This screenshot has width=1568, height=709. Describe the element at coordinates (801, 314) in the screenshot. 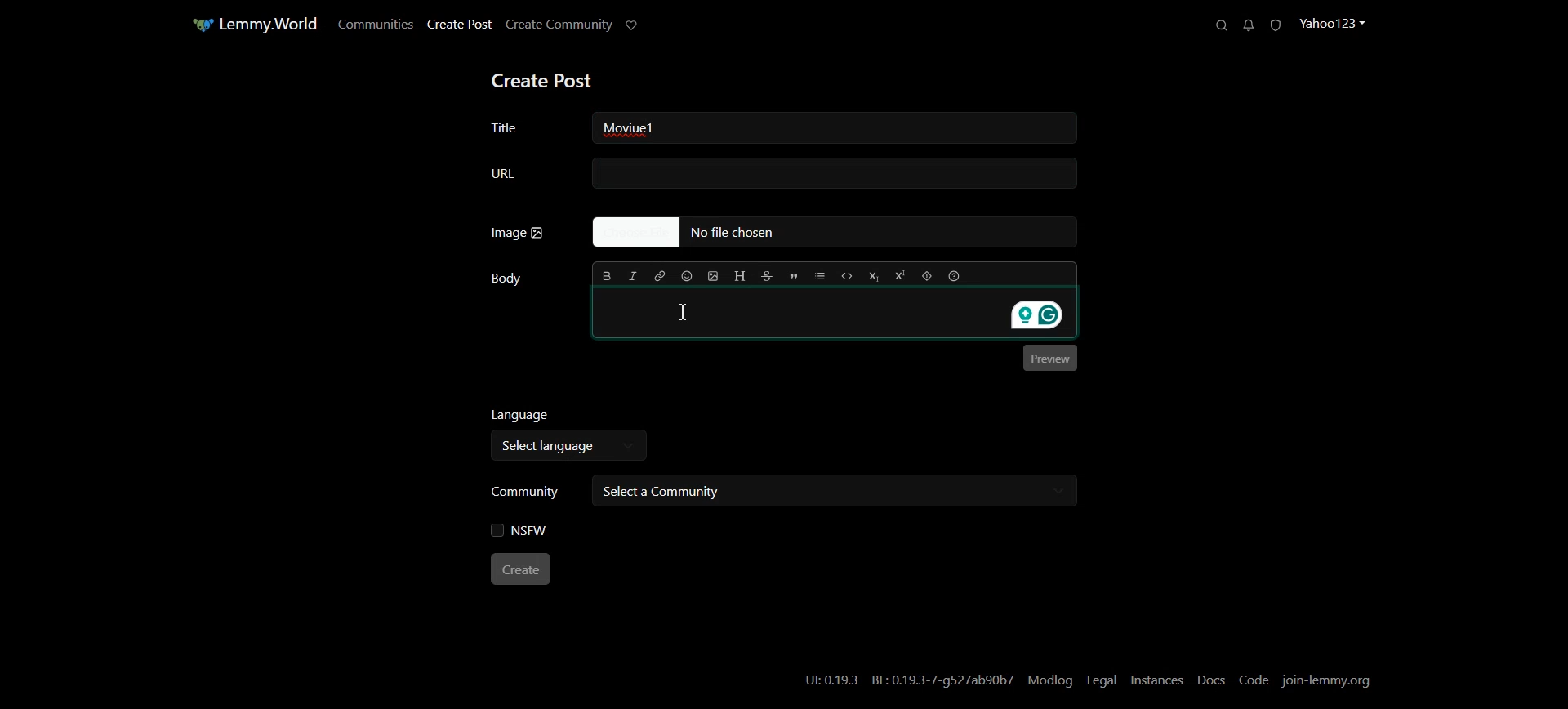

I see `Typing window` at that location.